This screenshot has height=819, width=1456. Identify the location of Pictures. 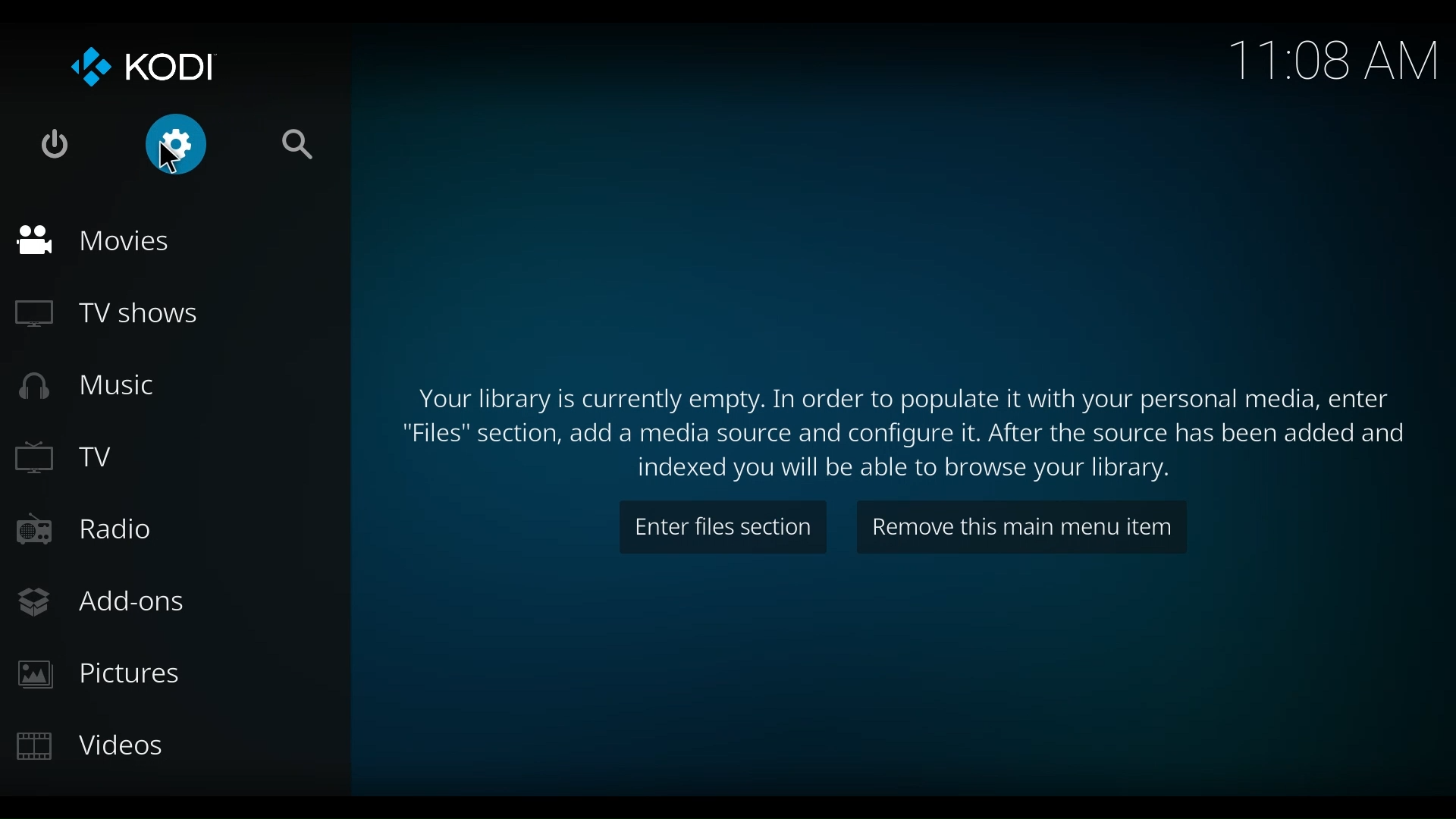
(105, 675).